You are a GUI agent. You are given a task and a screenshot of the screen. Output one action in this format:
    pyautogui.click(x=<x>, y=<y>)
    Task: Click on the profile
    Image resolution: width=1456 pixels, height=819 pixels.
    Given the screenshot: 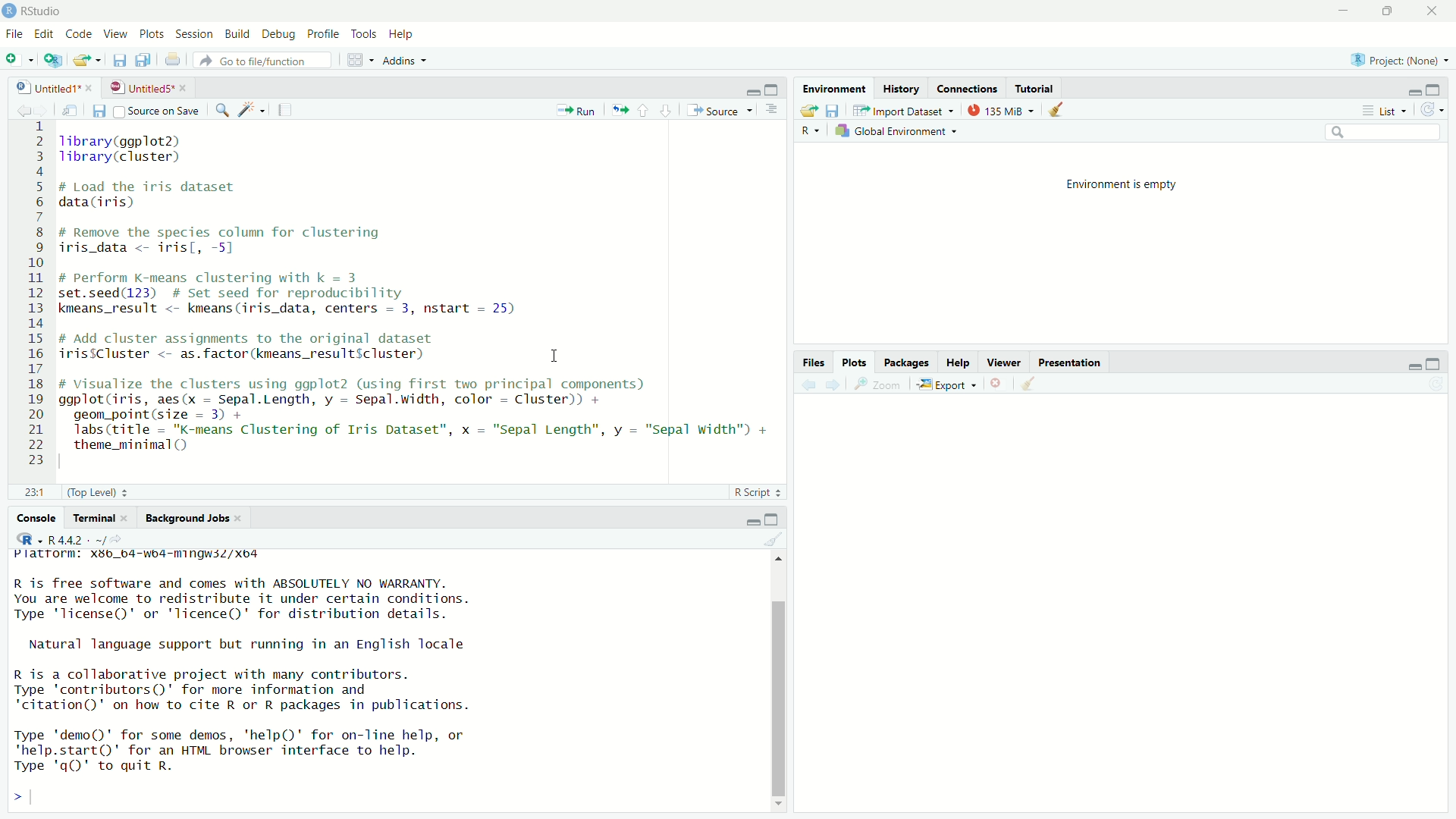 What is the action you would take?
    pyautogui.click(x=325, y=33)
    